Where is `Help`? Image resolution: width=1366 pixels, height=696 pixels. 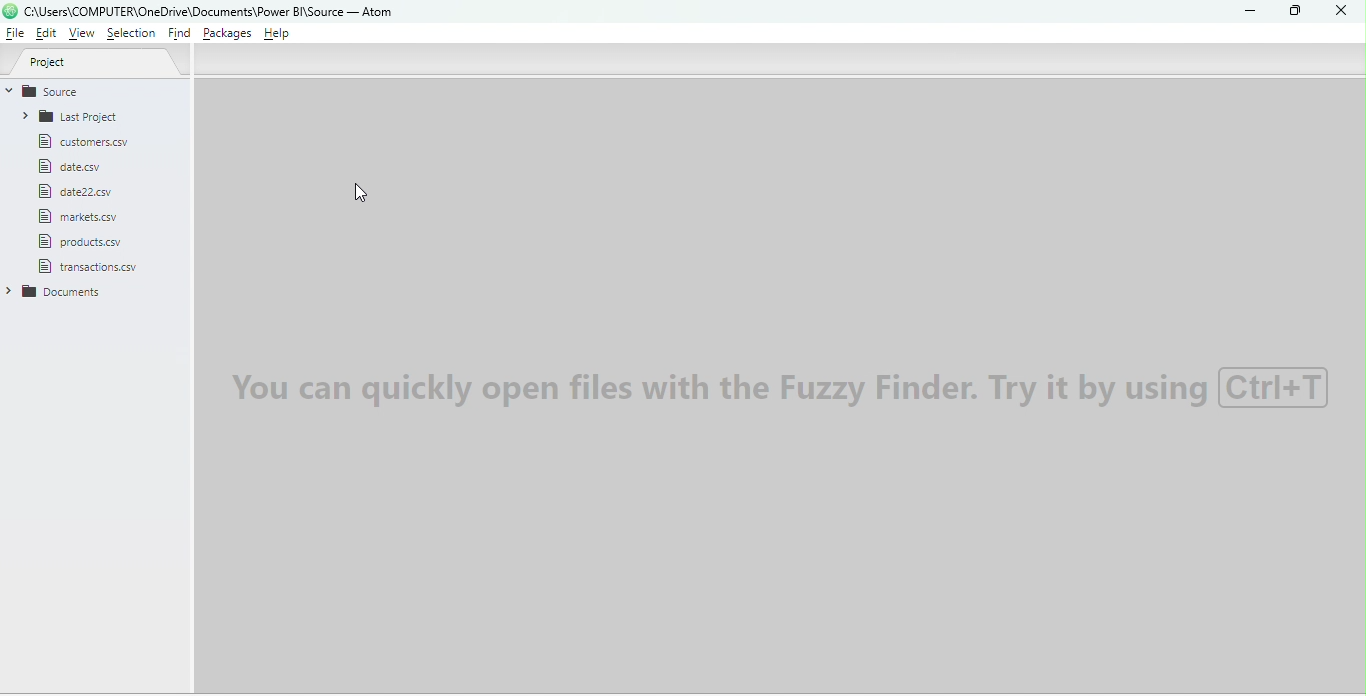 Help is located at coordinates (281, 35).